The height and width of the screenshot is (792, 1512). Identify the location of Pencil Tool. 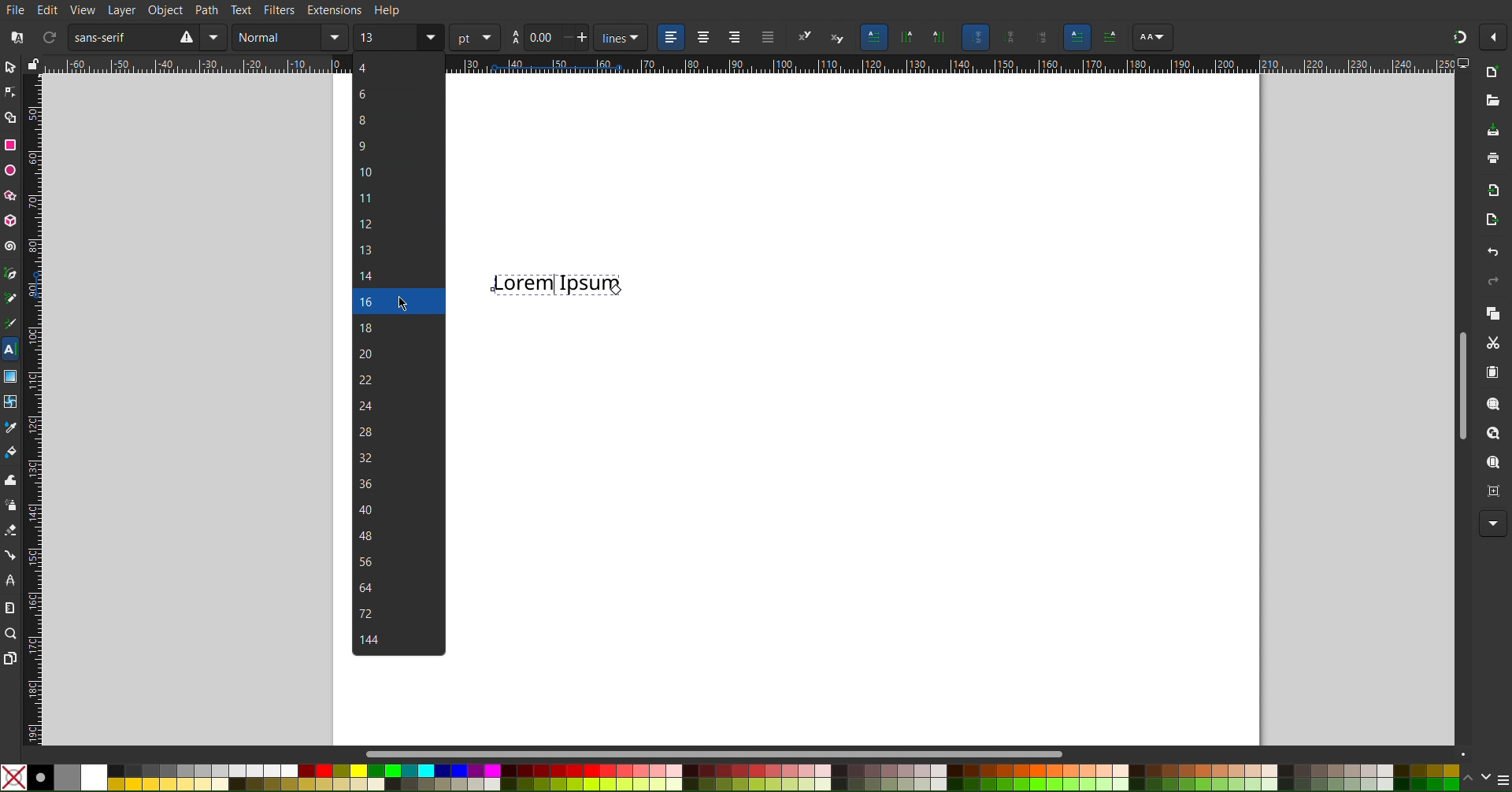
(11, 298).